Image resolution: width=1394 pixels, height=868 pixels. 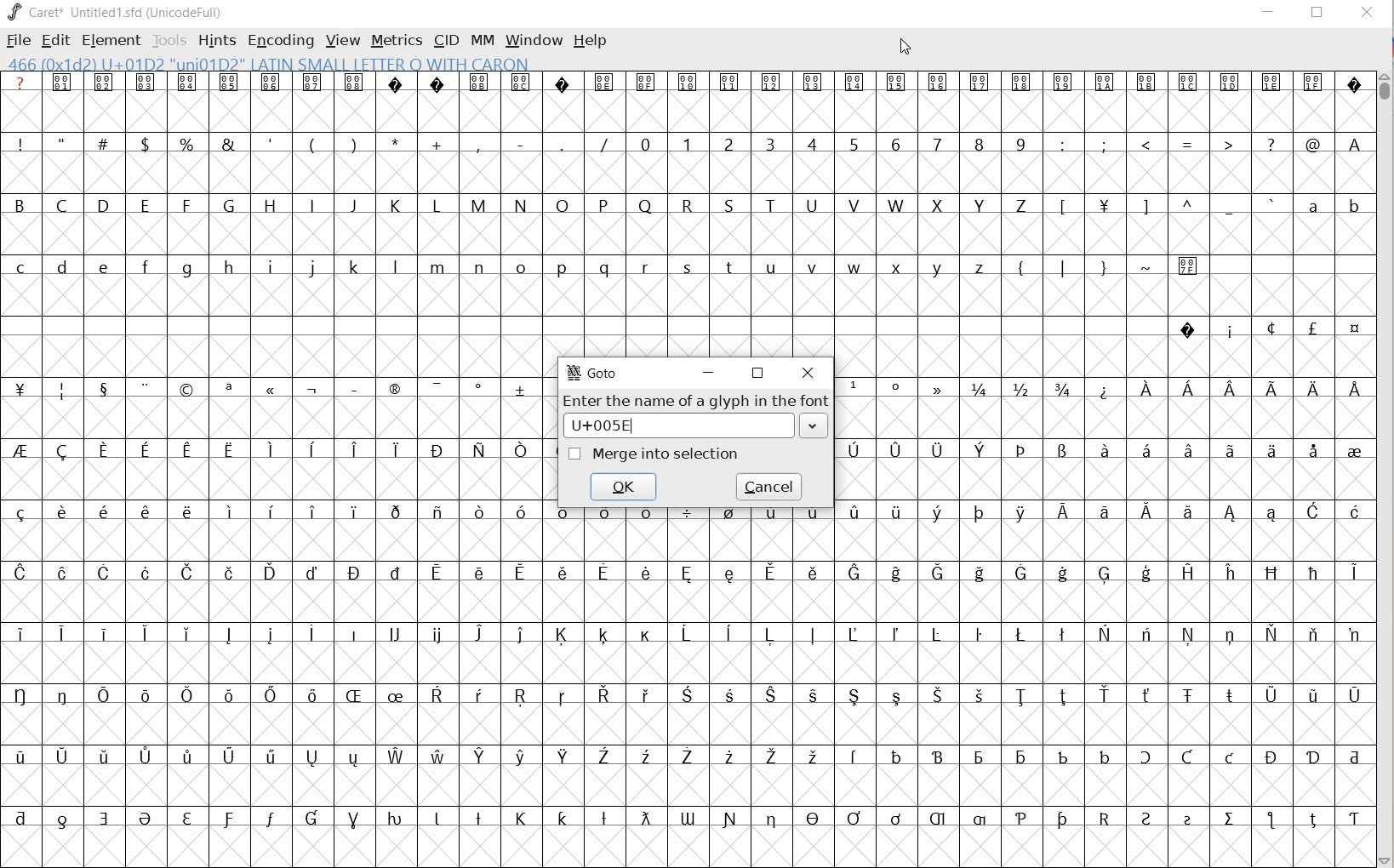 I want to click on RESTORE DOWN, so click(x=758, y=372).